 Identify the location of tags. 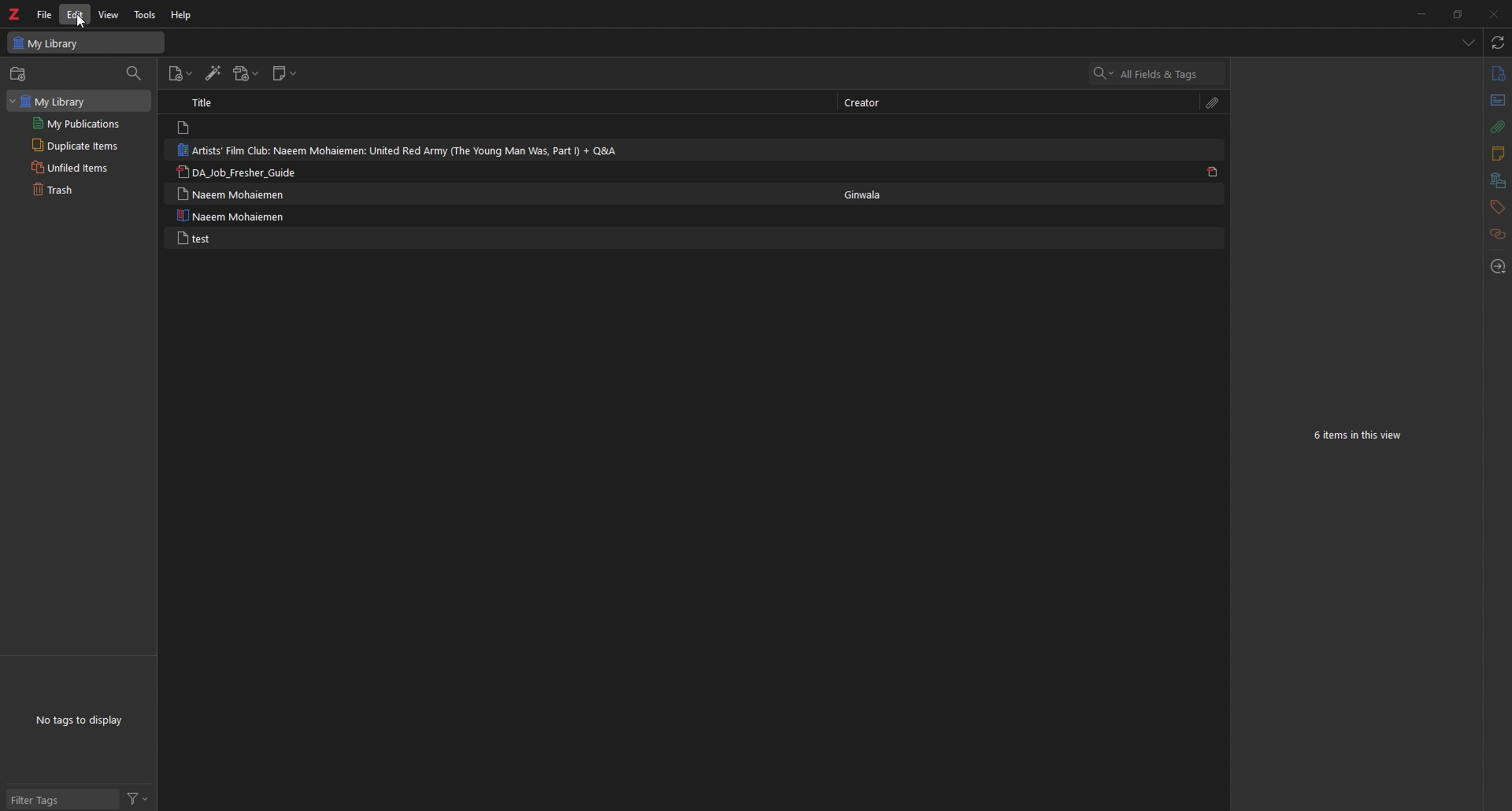
(1496, 207).